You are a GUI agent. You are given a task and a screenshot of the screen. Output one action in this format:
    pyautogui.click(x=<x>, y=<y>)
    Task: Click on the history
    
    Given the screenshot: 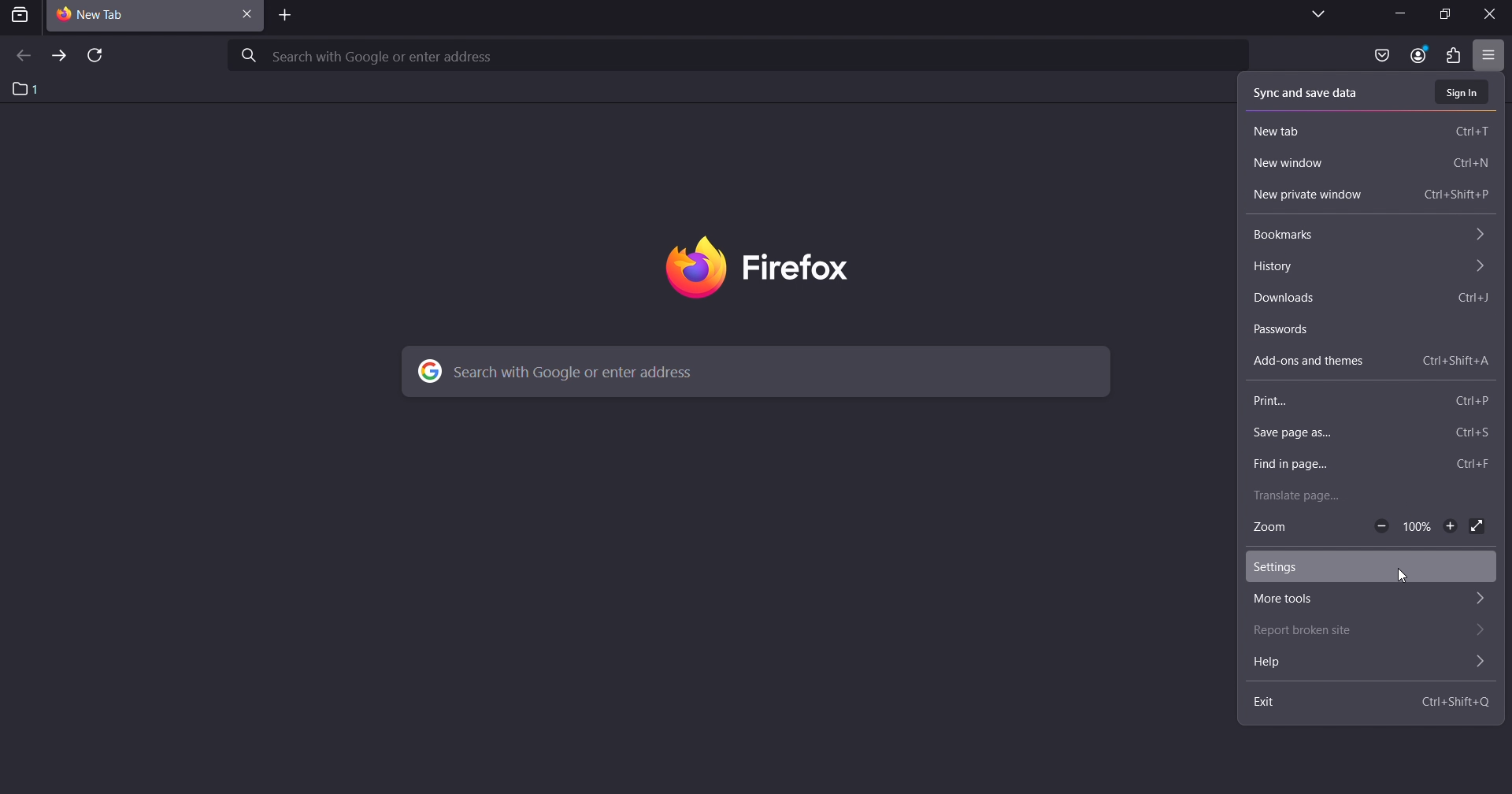 What is the action you would take?
    pyautogui.click(x=1366, y=265)
    